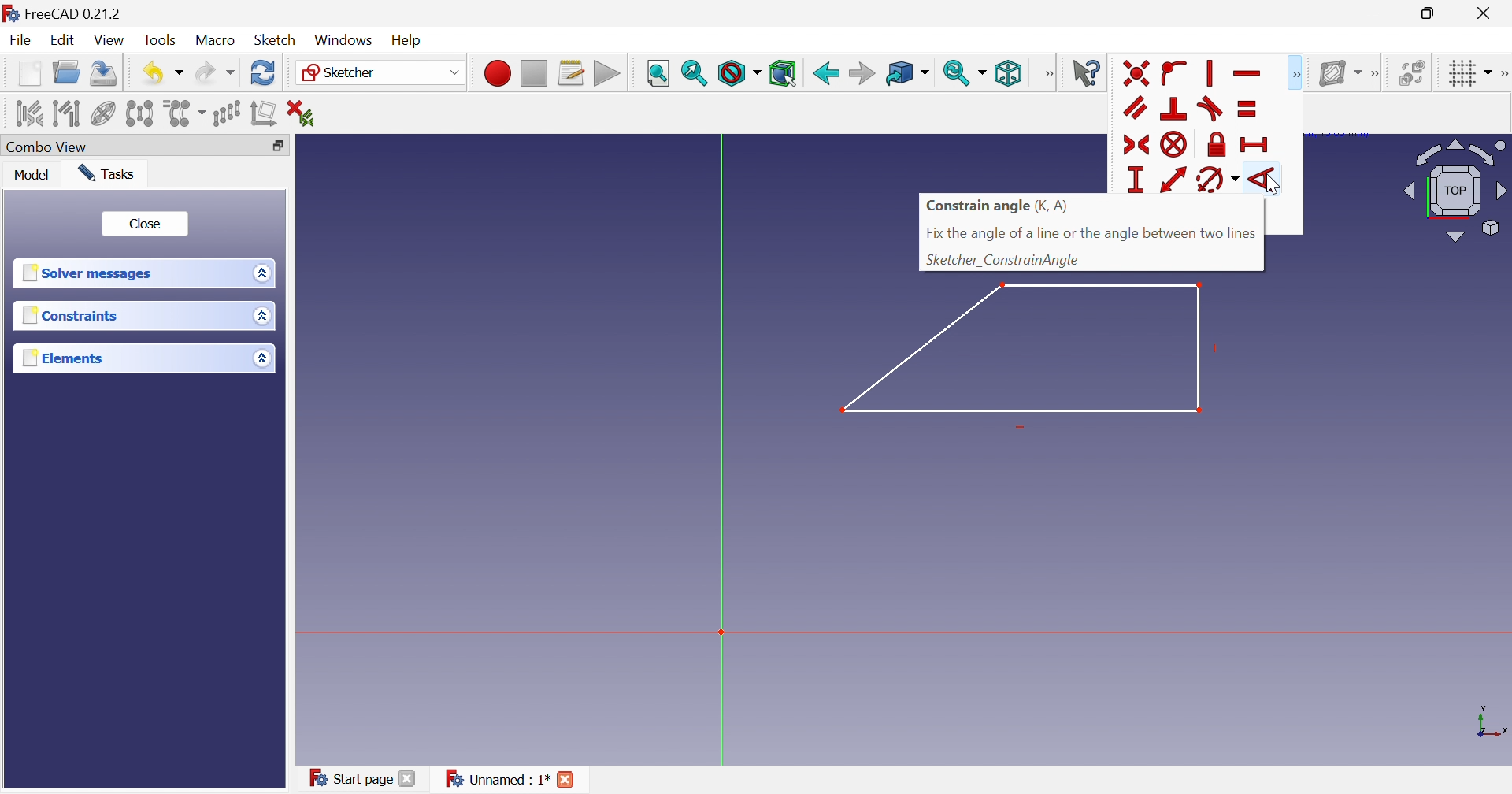 This screenshot has width=1512, height=794. I want to click on Polyline, so click(1032, 354).